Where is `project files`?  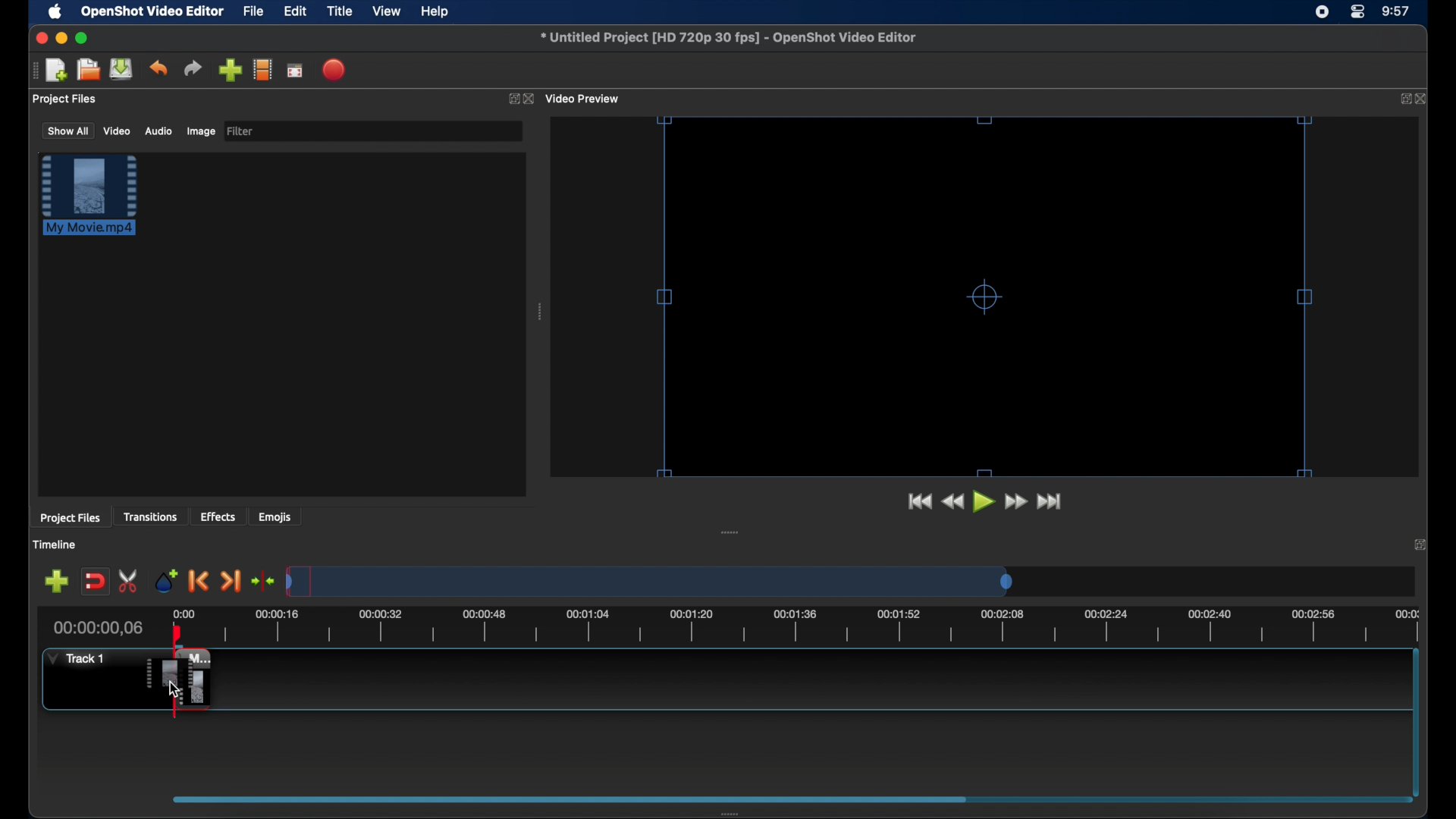
project files is located at coordinates (66, 99).